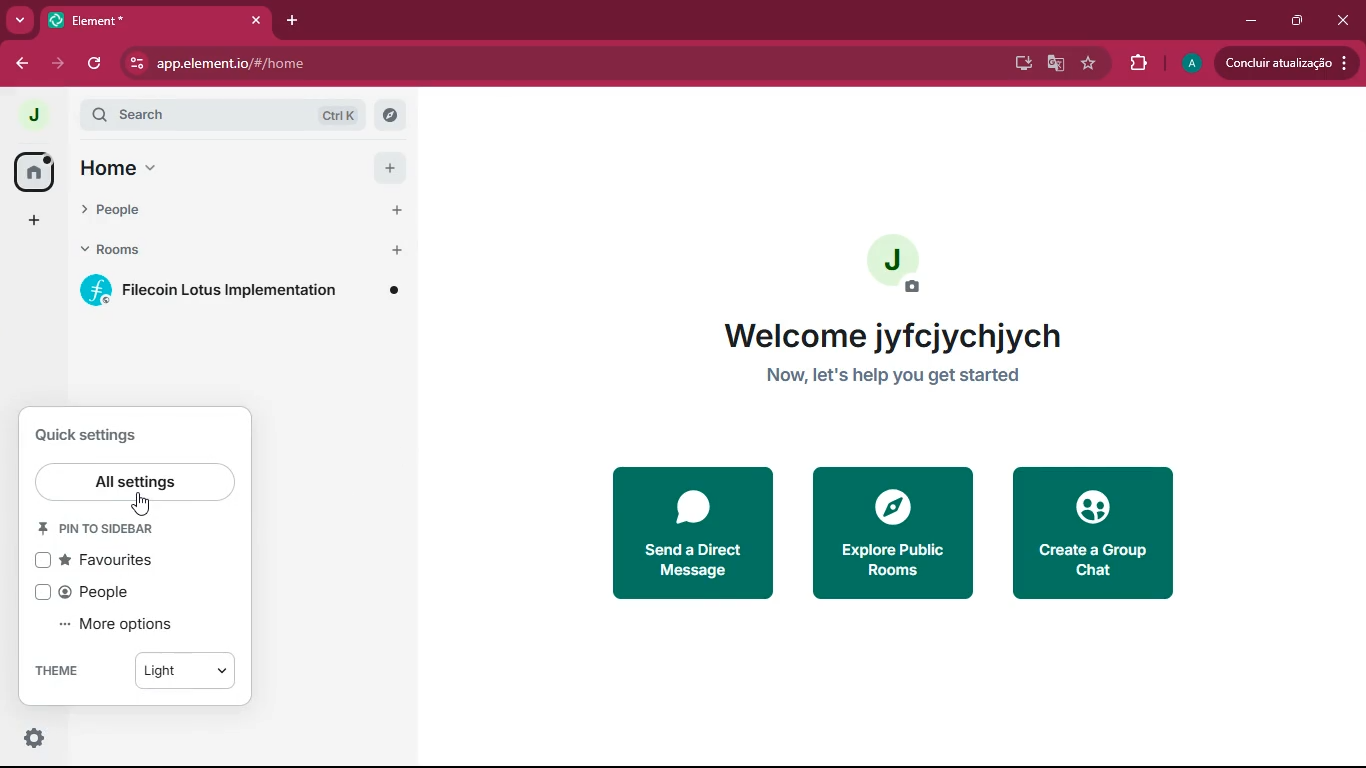 The height and width of the screenshot is (768, 1366). What do you see at coordinates (224, 115) in the screenshot?
I see `search` at bounding box center [224, 115].